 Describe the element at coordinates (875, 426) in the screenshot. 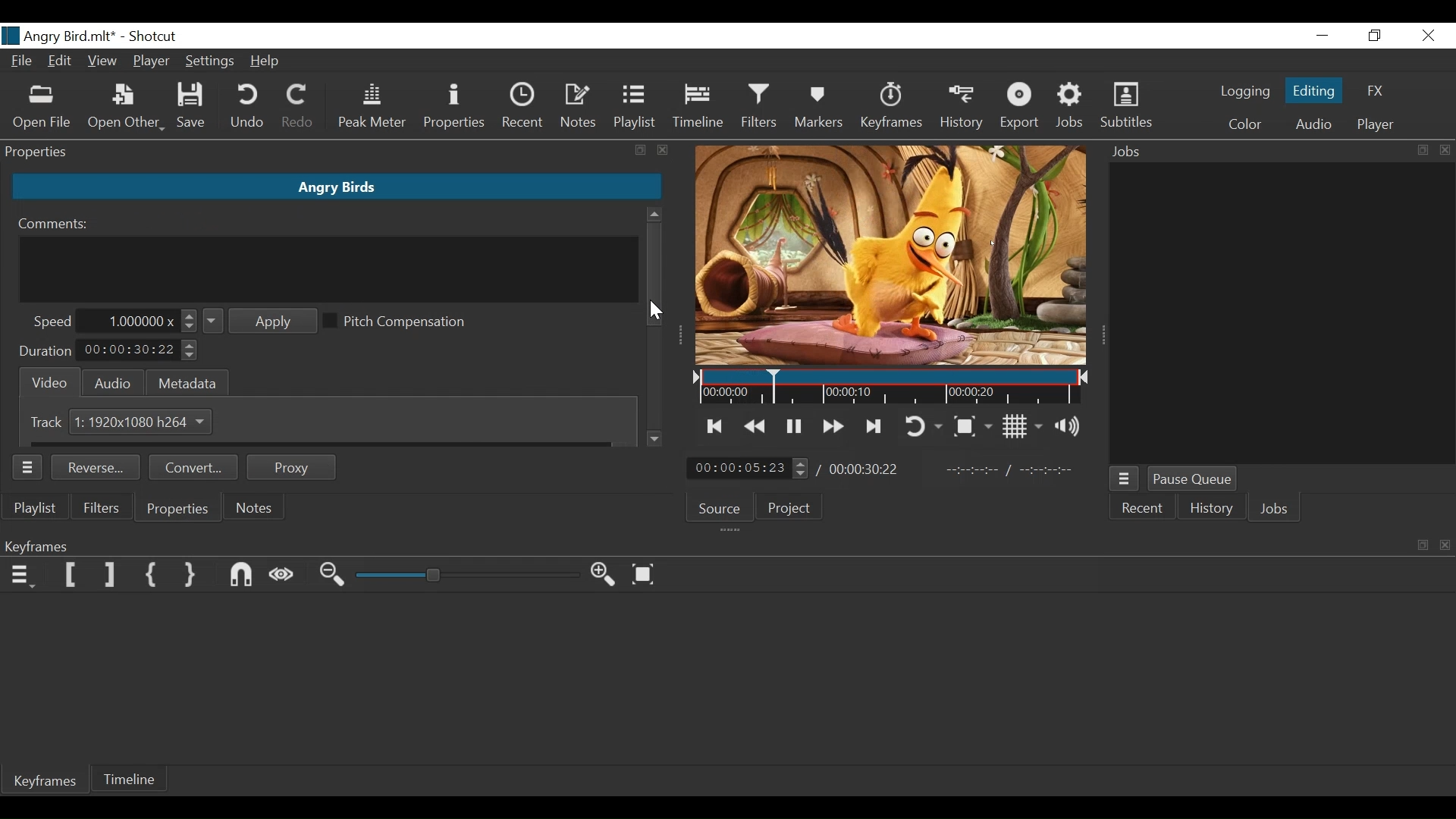

I see `Skip to the next point ` at that location.